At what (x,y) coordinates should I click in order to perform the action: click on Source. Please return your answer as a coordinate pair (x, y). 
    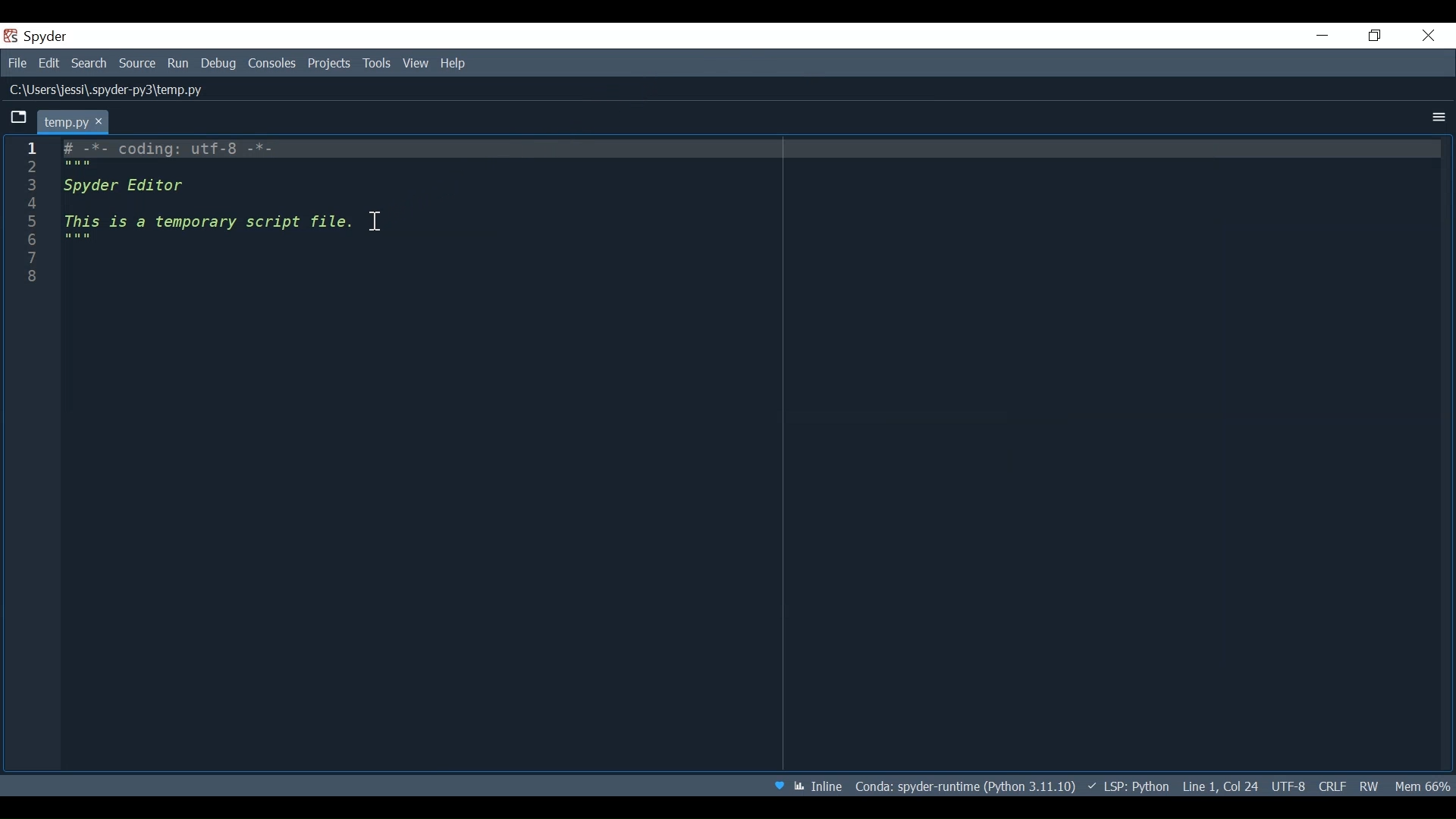
    Looking at the image, I should click on (138, 63).